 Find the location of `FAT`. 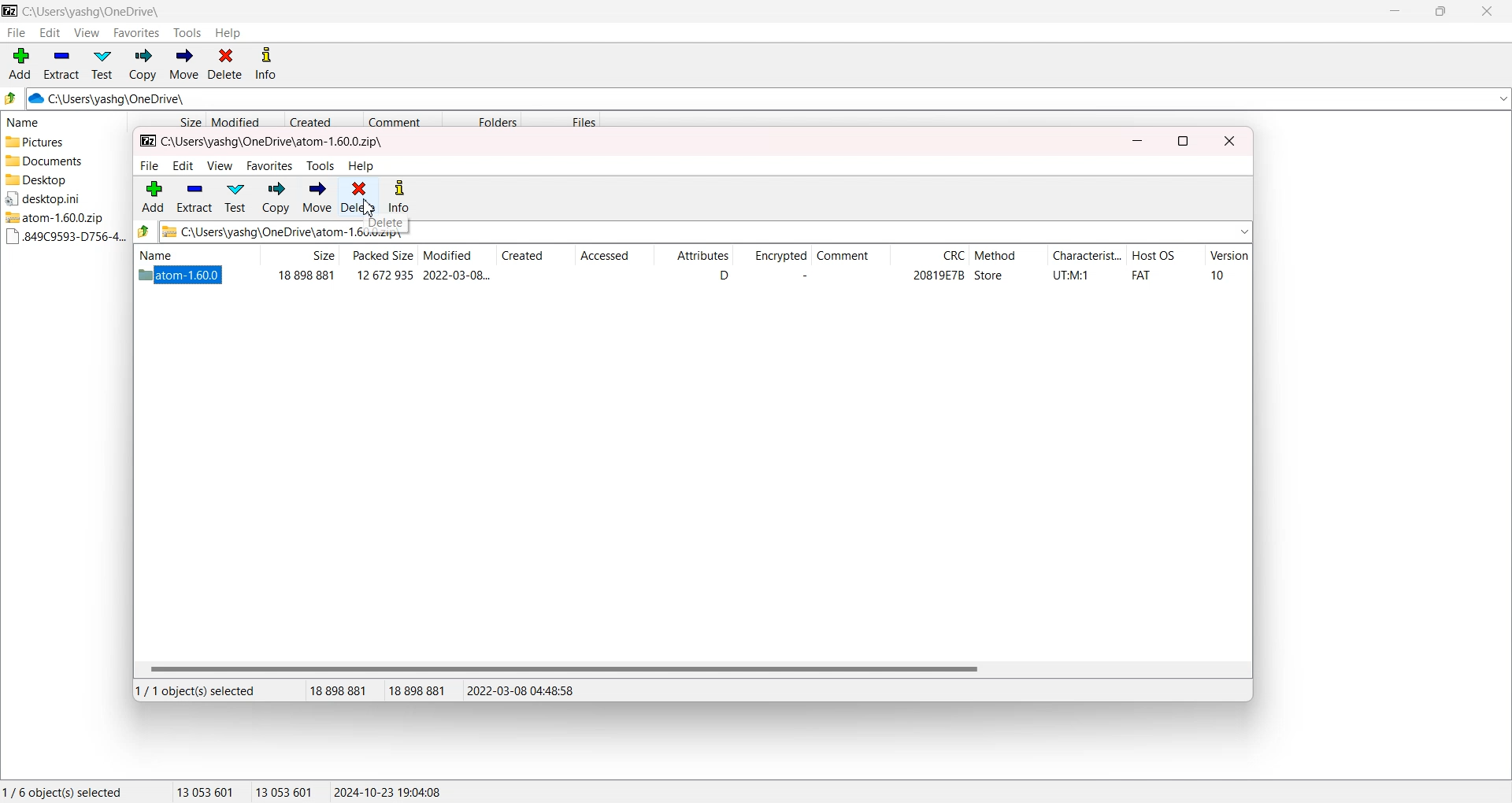

FAT is located at coordinates (1141, 276).